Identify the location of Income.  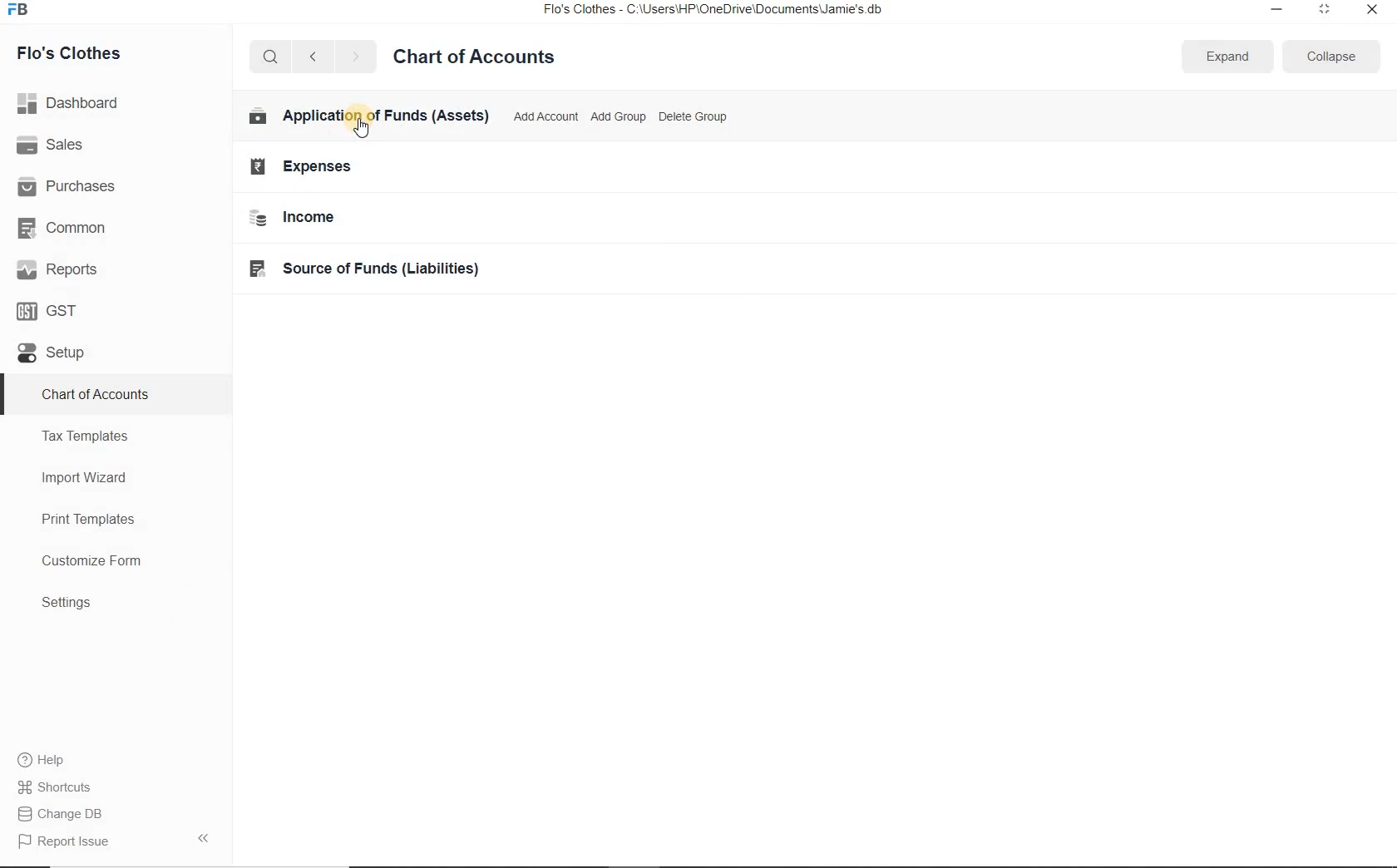
(312, 218).